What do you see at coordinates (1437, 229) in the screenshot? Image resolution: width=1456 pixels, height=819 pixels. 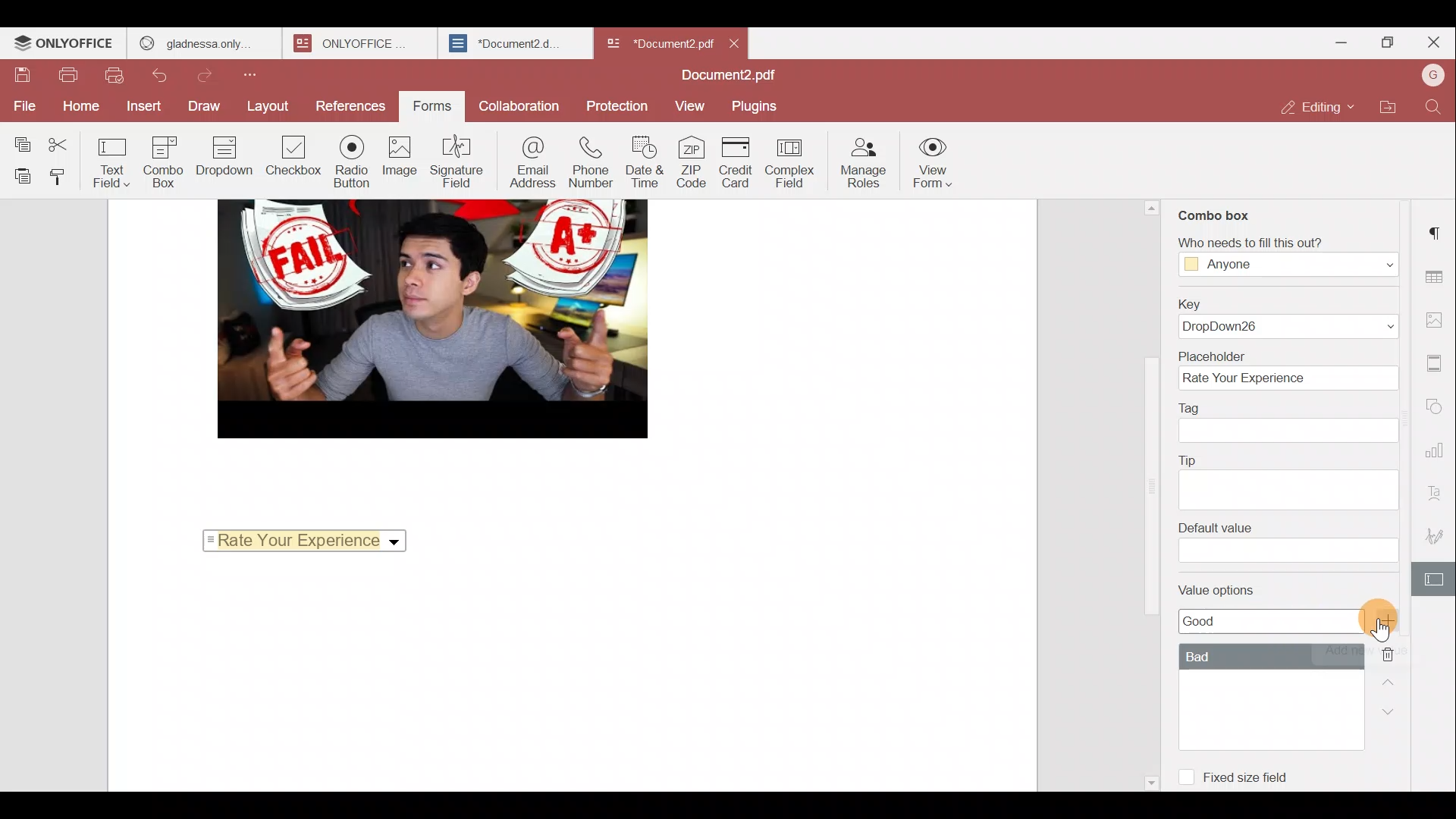 I see `Paragraph settings` at bounding box center [1437, 229].